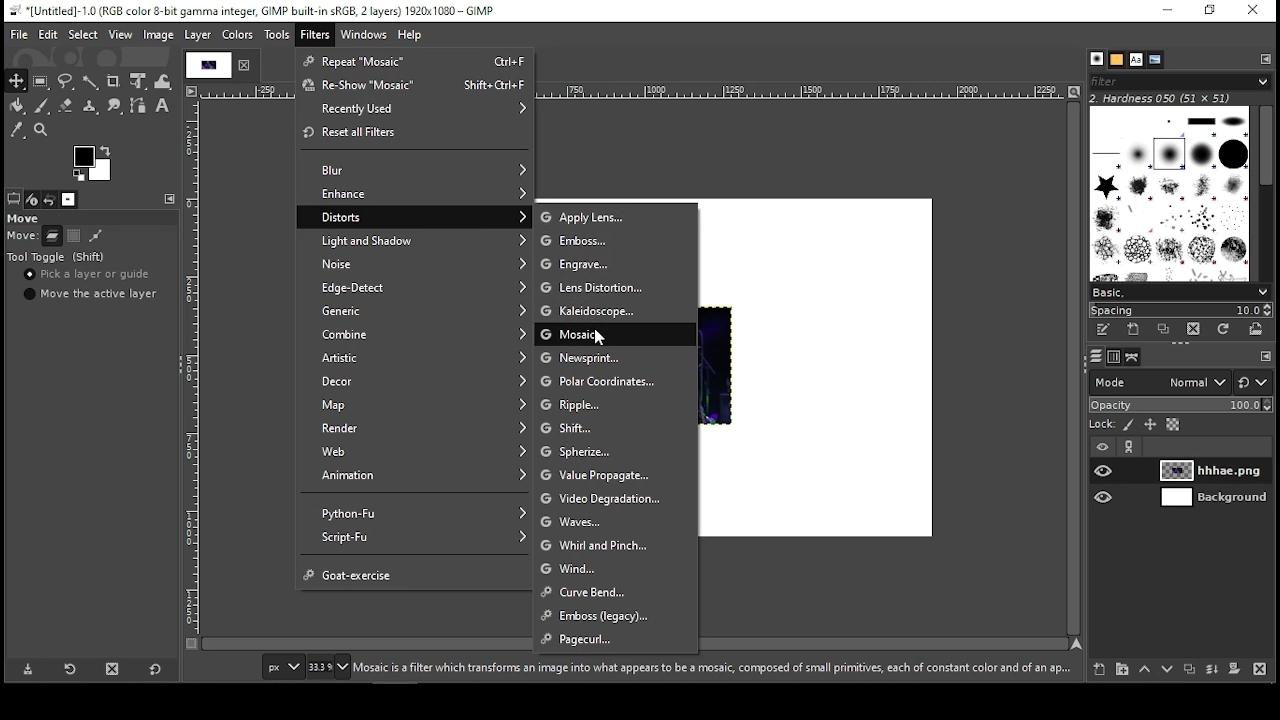 This screenshot has width=1280, height=720. I want to click on mouse pointer, so click(599, 337).